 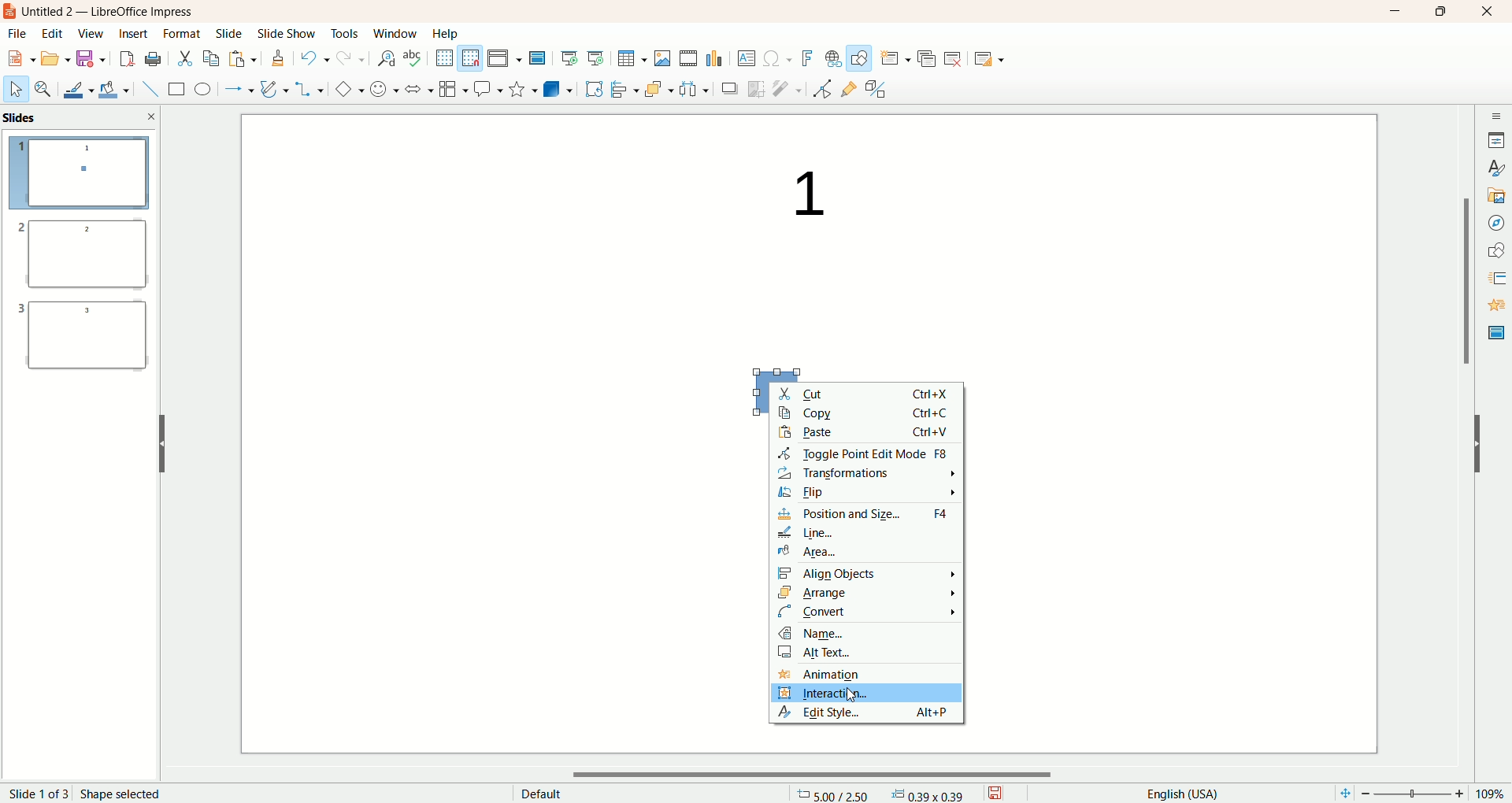 I want to click on horizontal scroll bar, so click(x=818, y=775).